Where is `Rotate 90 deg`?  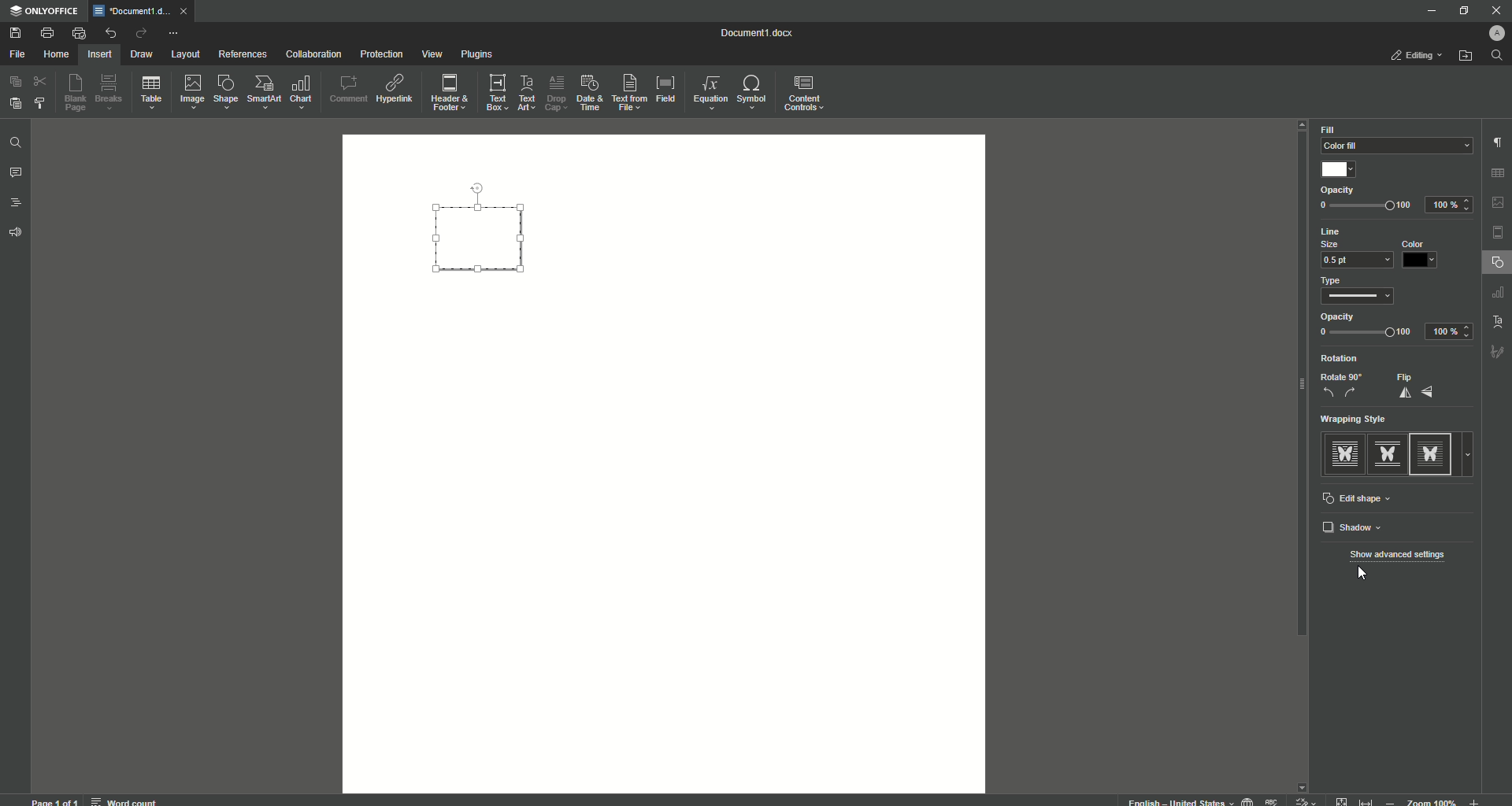 Rotate 90 deg is located at coordinates (1341, 386).